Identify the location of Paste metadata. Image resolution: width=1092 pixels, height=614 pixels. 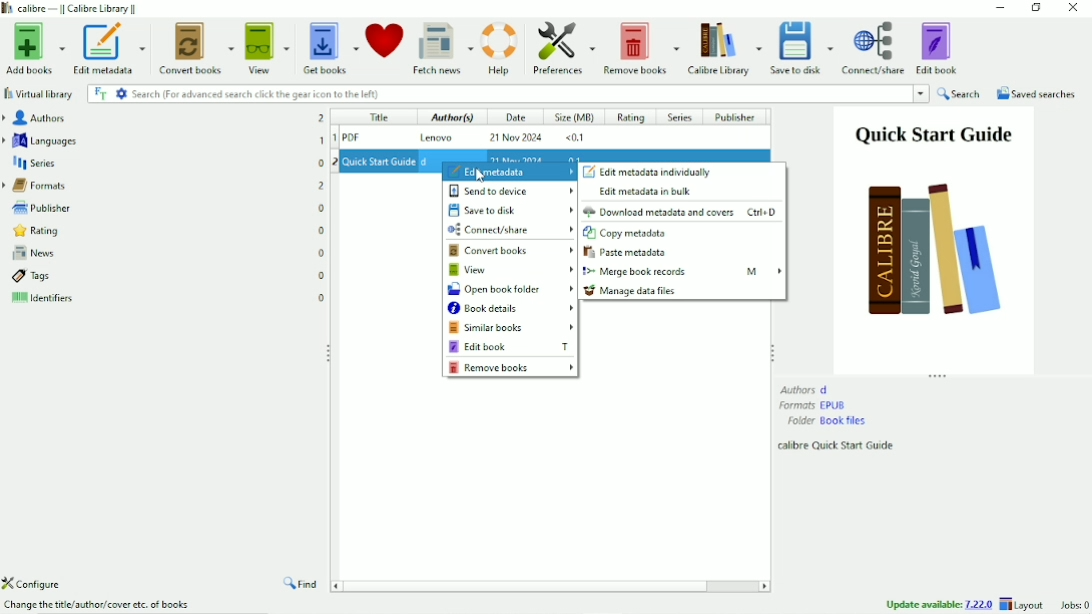
(1199, 500).